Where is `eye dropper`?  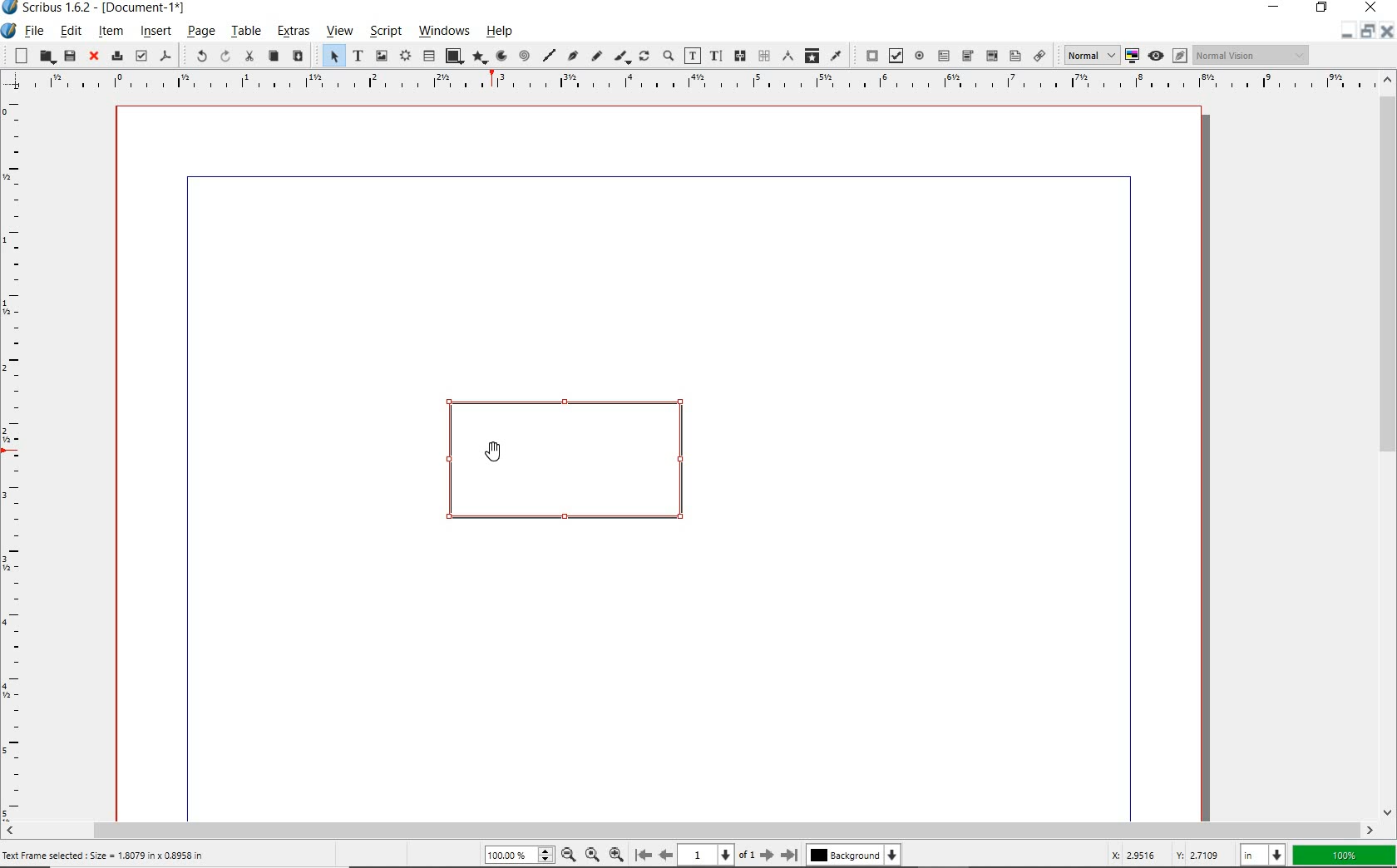 eye dropper is located at coordinates (836, 55).